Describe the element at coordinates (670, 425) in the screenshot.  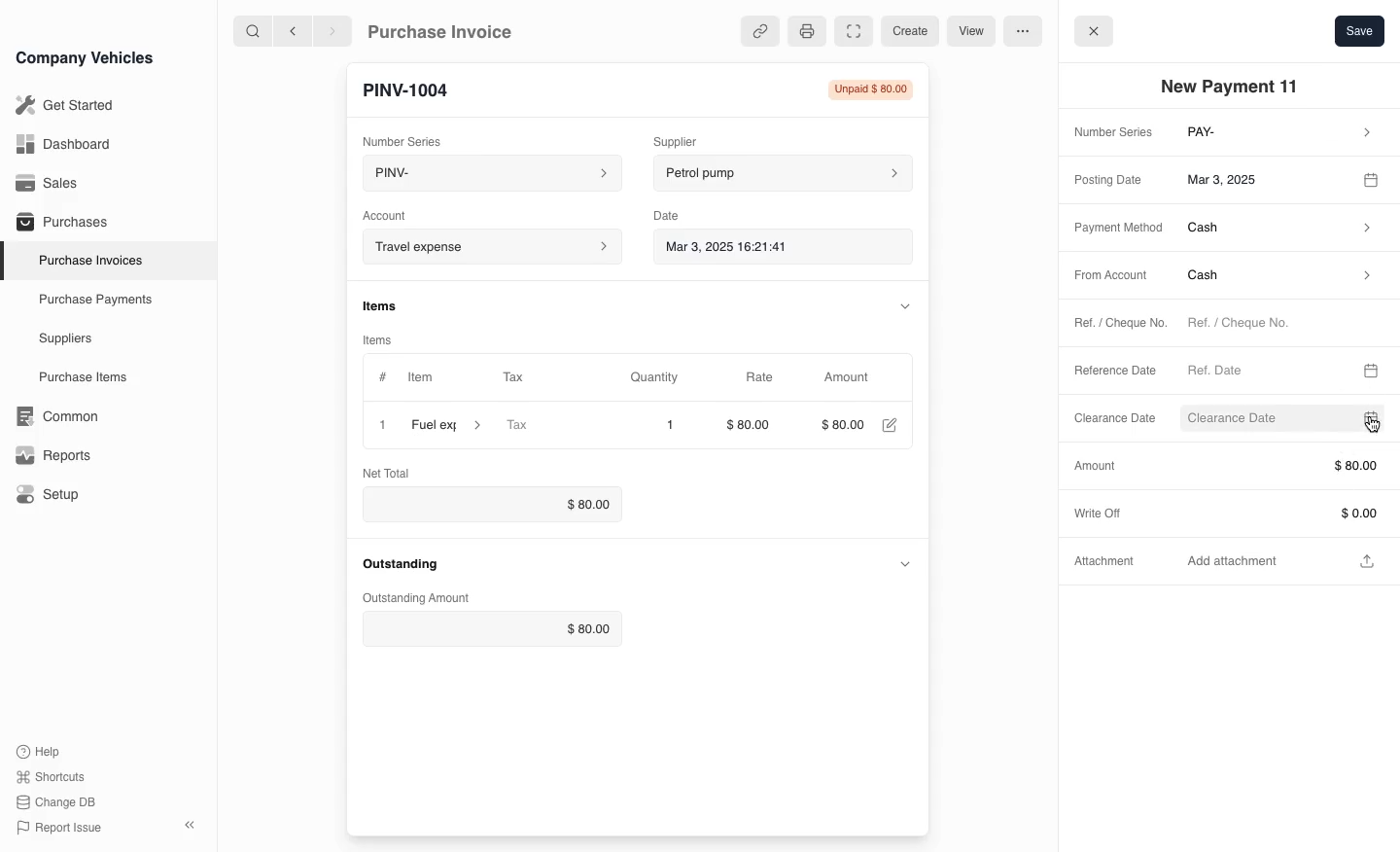
I see `1` at that location.